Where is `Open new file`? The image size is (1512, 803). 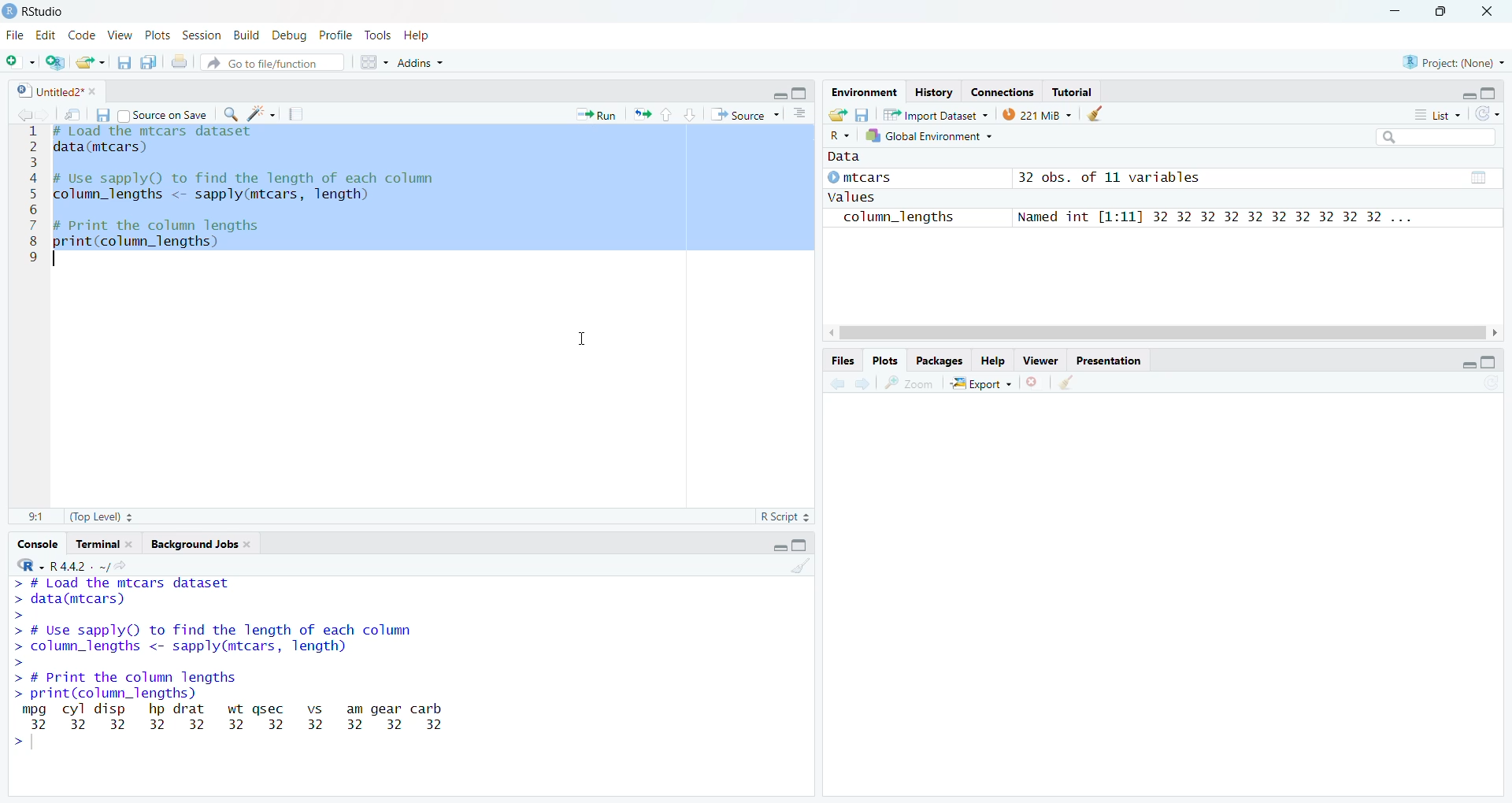 Open new file is located at coordinates (20, 62).